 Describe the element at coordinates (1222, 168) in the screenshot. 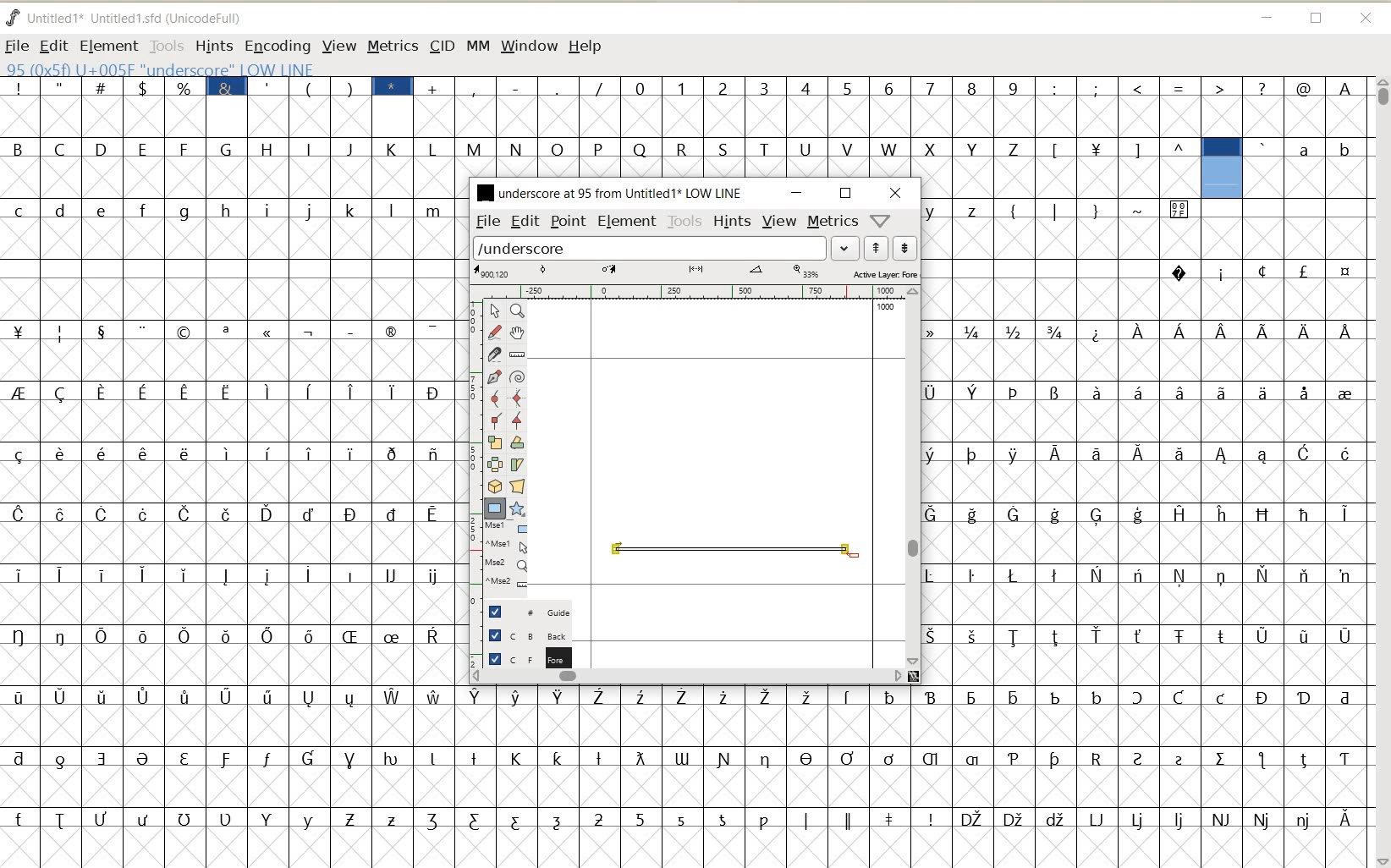

I see `glyph selected` at that location.